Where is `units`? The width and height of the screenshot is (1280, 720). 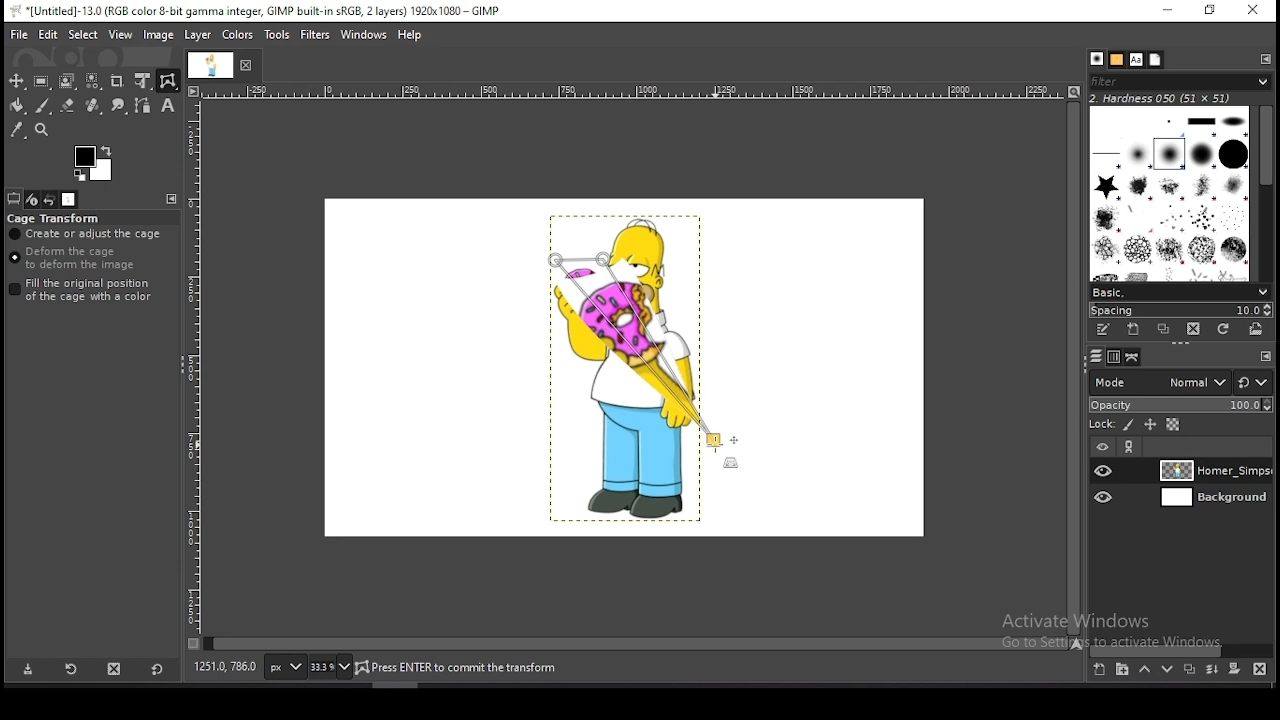
units is located at coordinates (283, 668).